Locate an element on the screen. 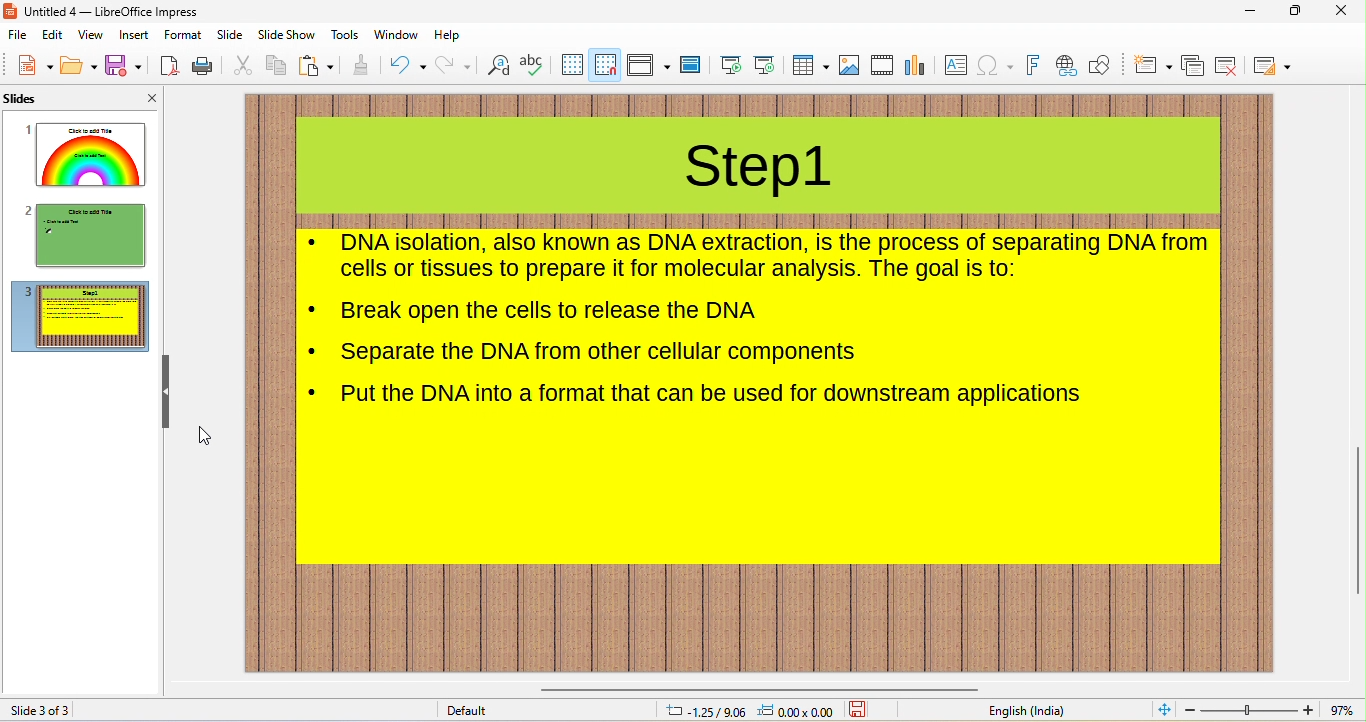 Image resolution: width=1366 pixels, height=722 pixels. cursor is located at coordinates (207, 436).